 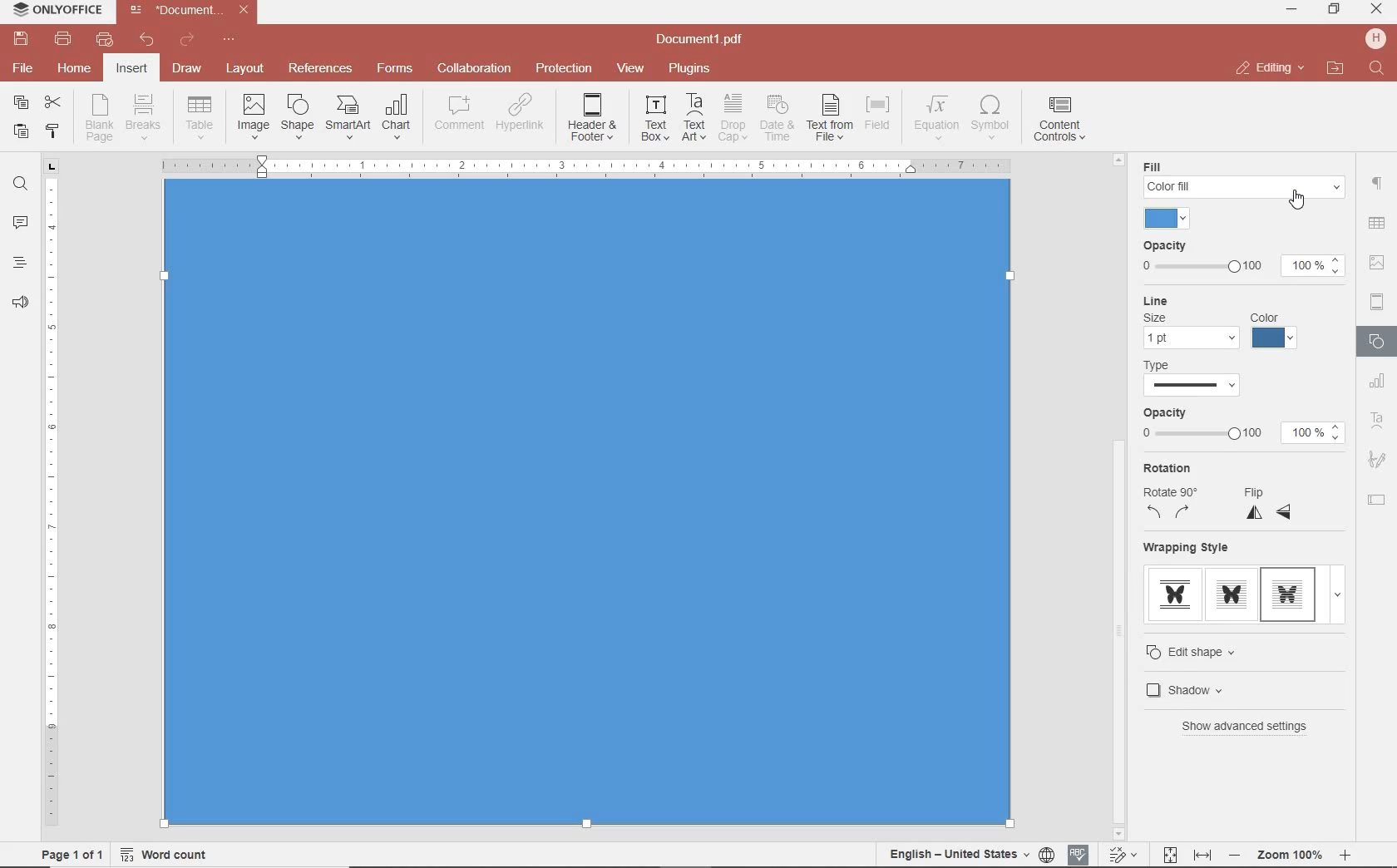 What do you see at coordinates (521, 116) in the screenshot?
I see `ADD HYPERLINK` at bounding box center [521, 116].